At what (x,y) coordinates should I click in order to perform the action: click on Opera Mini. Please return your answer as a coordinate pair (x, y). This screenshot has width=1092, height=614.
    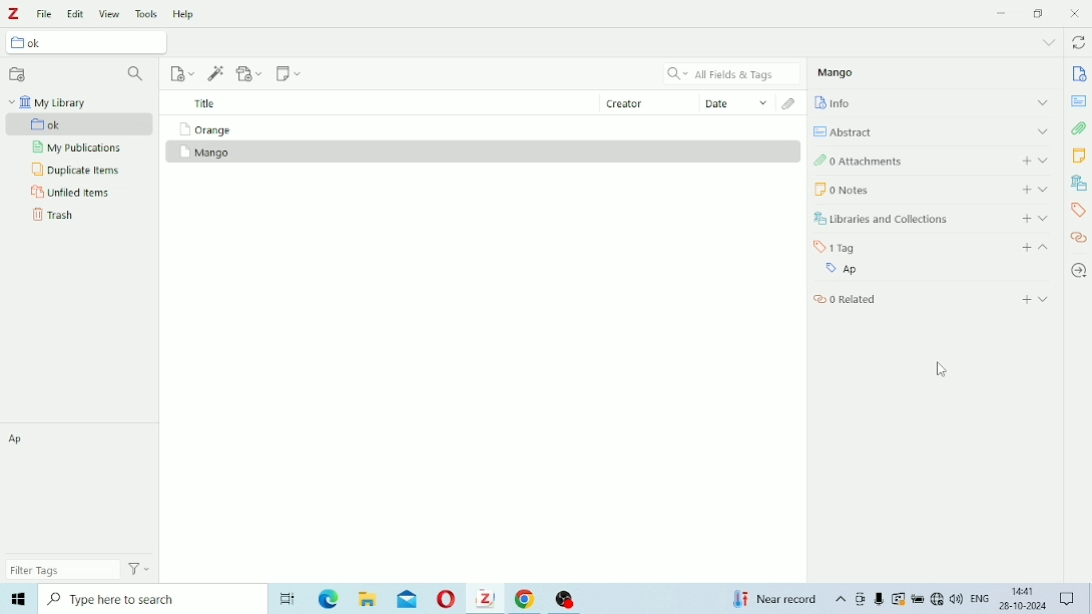
    Looking at the image, I should click on (448, 598).